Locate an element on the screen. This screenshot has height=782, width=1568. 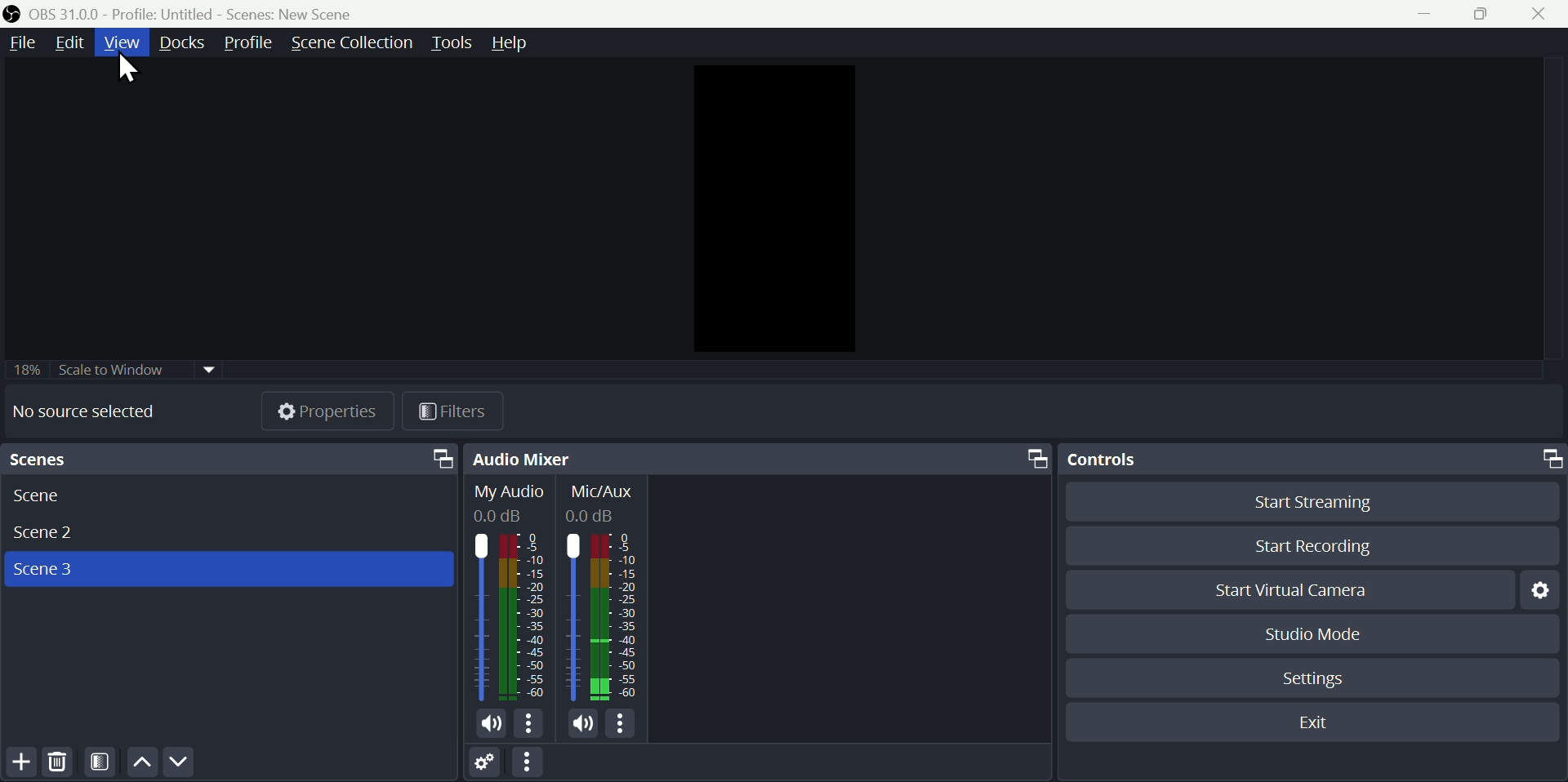
Move up is located at coordinates (141, 764).